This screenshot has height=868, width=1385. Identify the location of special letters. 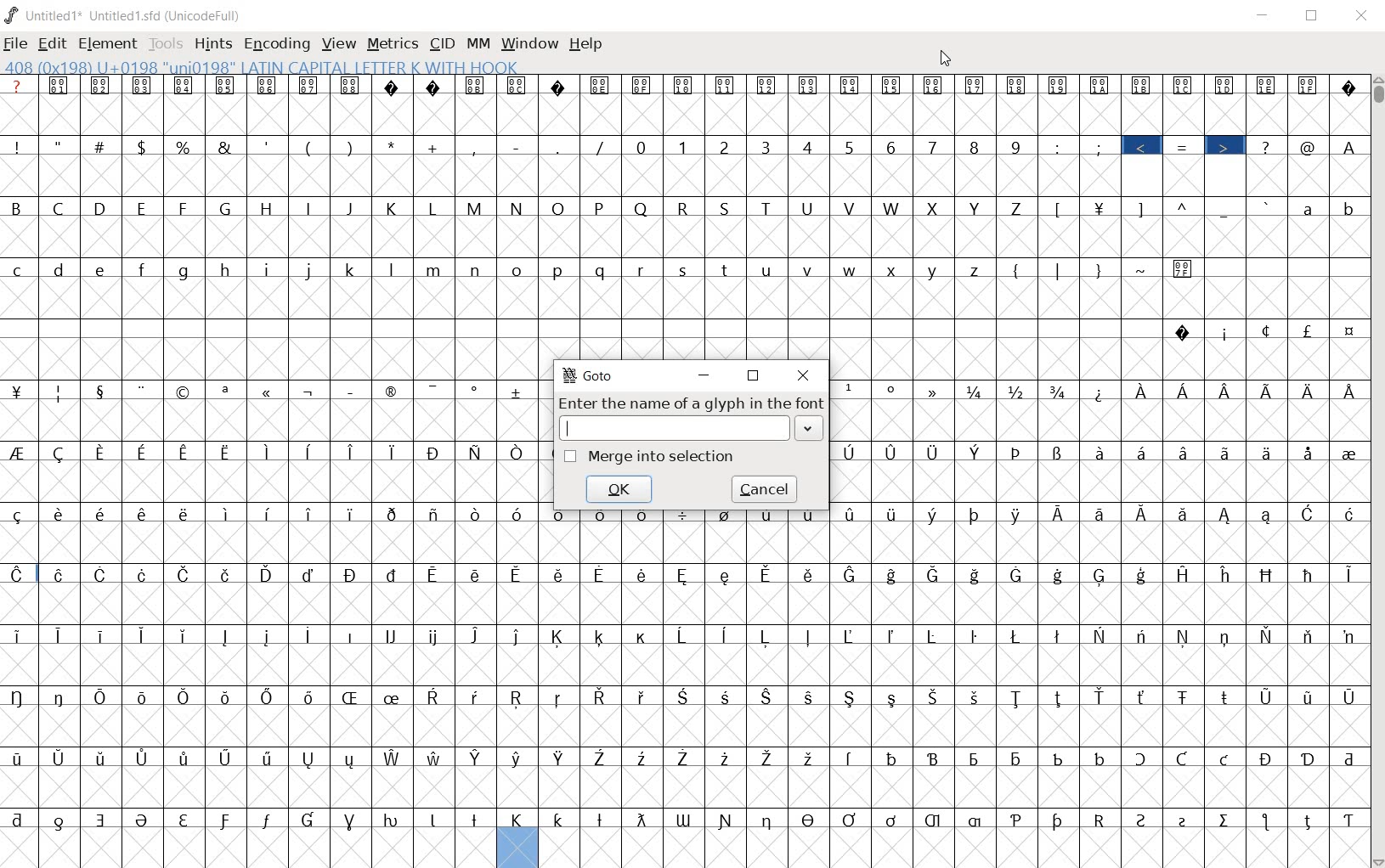
(680, 516).